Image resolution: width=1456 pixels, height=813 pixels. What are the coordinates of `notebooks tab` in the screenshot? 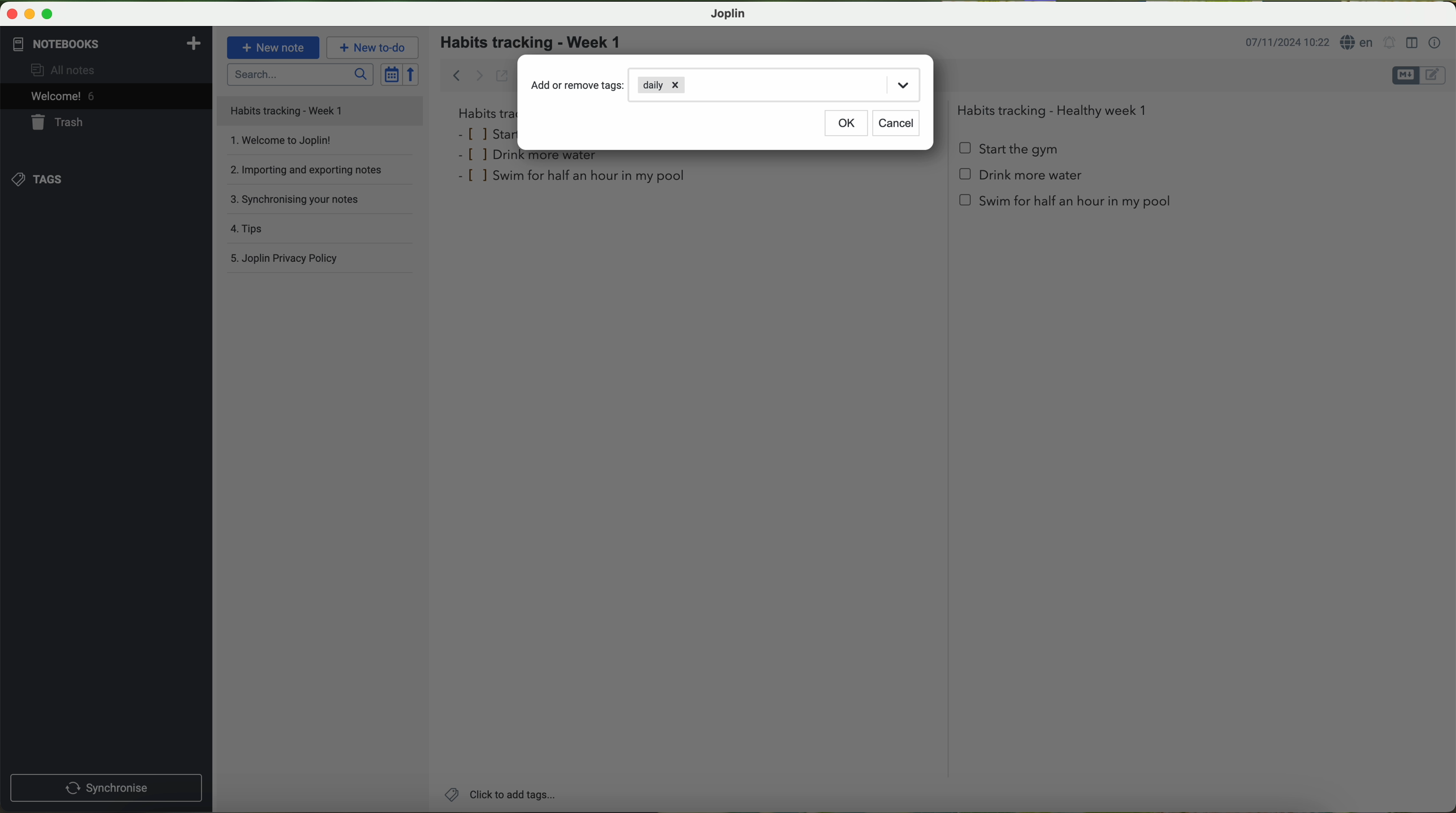 It's located at (108, 44).